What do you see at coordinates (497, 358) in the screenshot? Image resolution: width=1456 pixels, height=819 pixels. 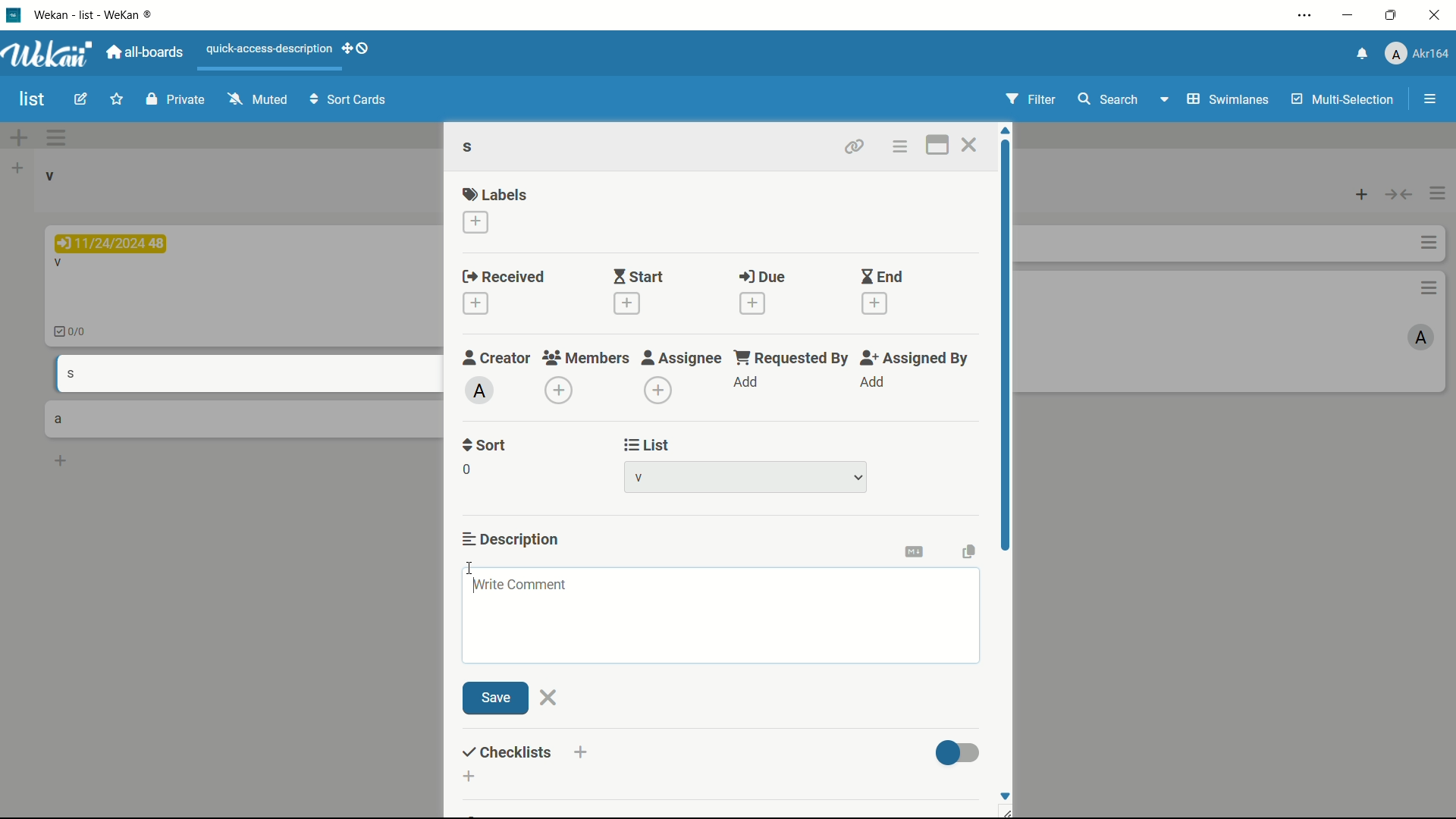 I see `creator` at bounding box center [497, 358].